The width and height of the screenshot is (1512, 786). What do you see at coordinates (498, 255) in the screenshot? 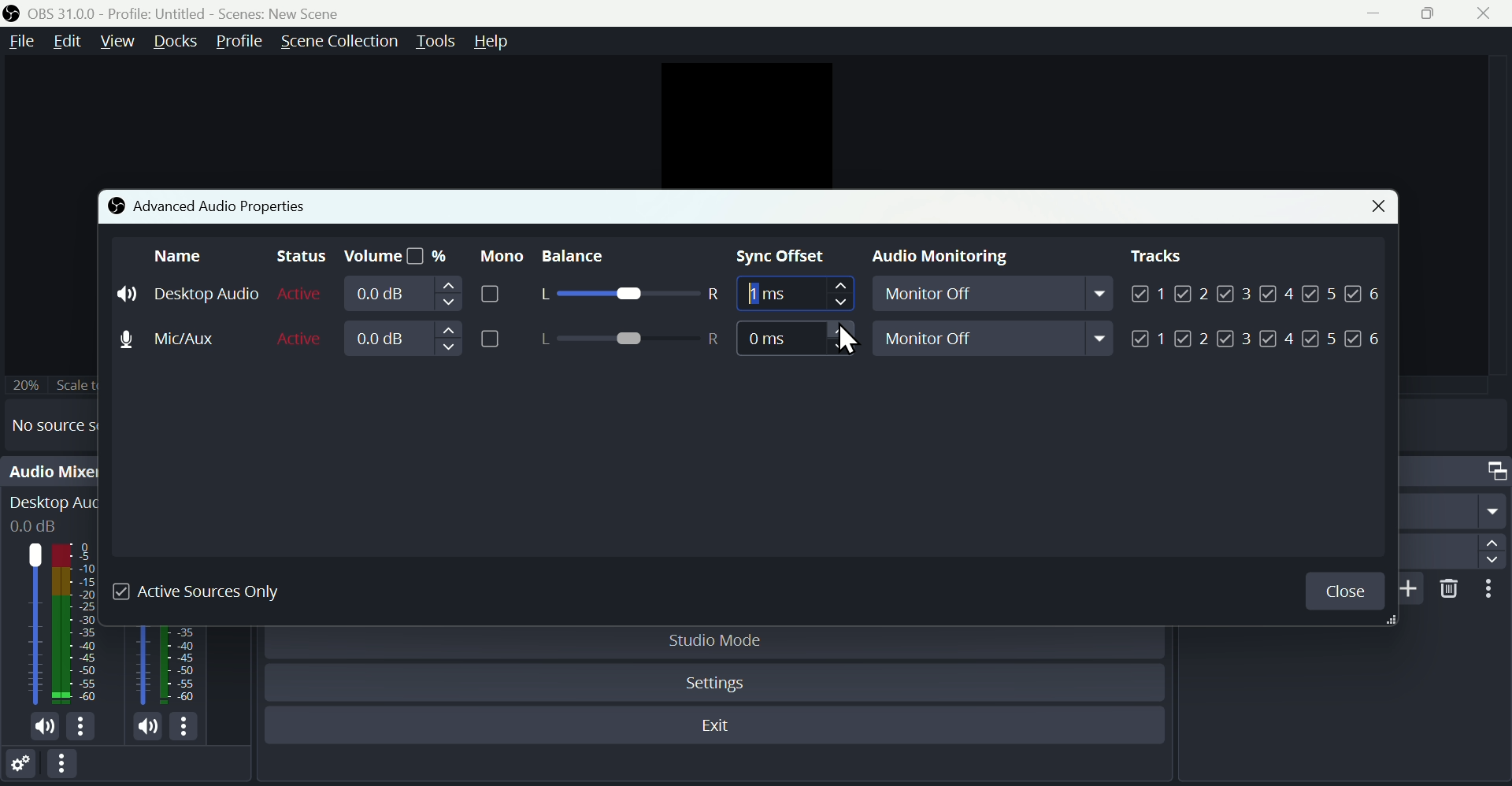
I see `Mono` at bounding box center [498, 255].